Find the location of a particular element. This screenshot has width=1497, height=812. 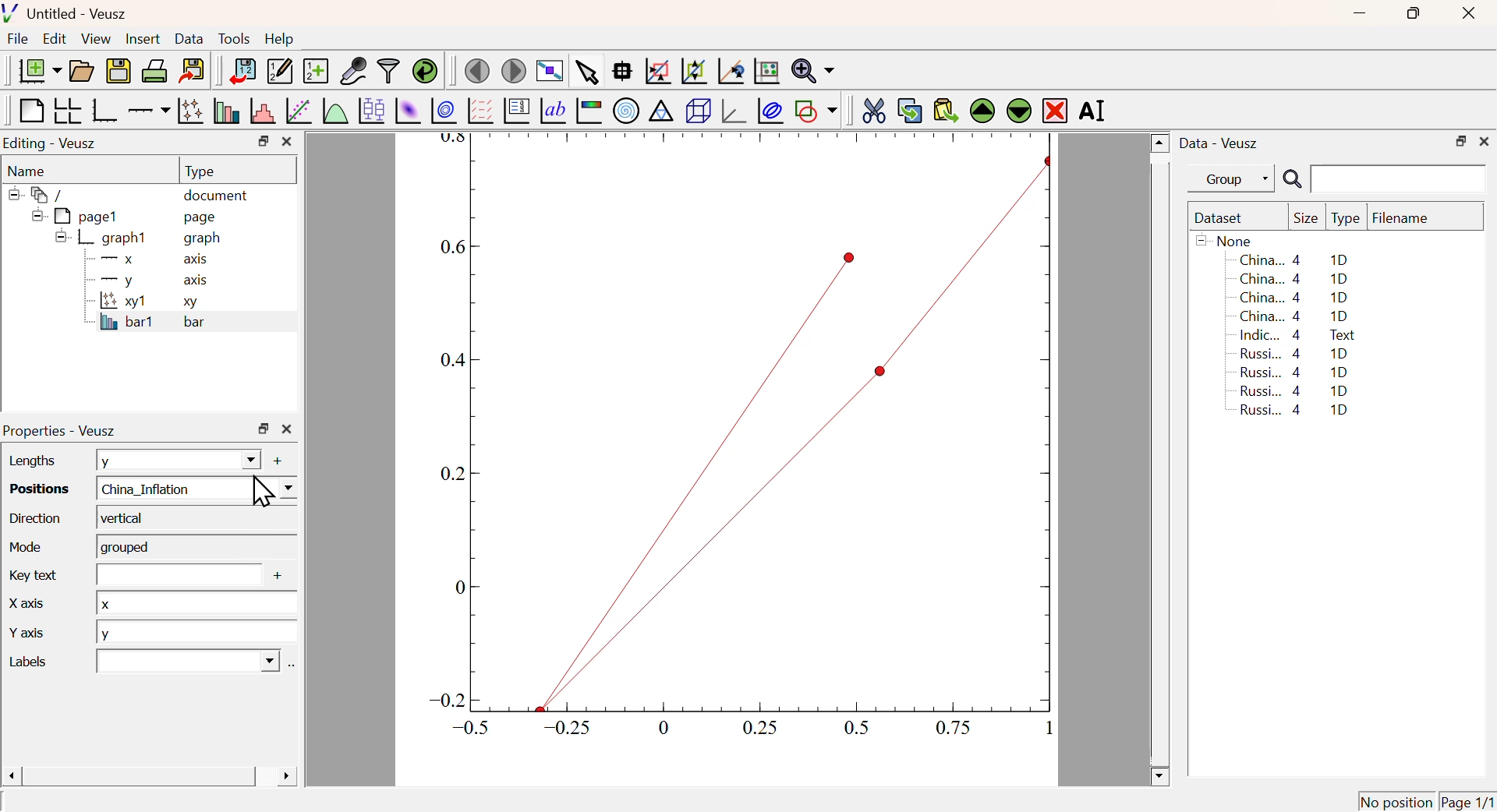

Move Up is located at coordinates (984, 111).